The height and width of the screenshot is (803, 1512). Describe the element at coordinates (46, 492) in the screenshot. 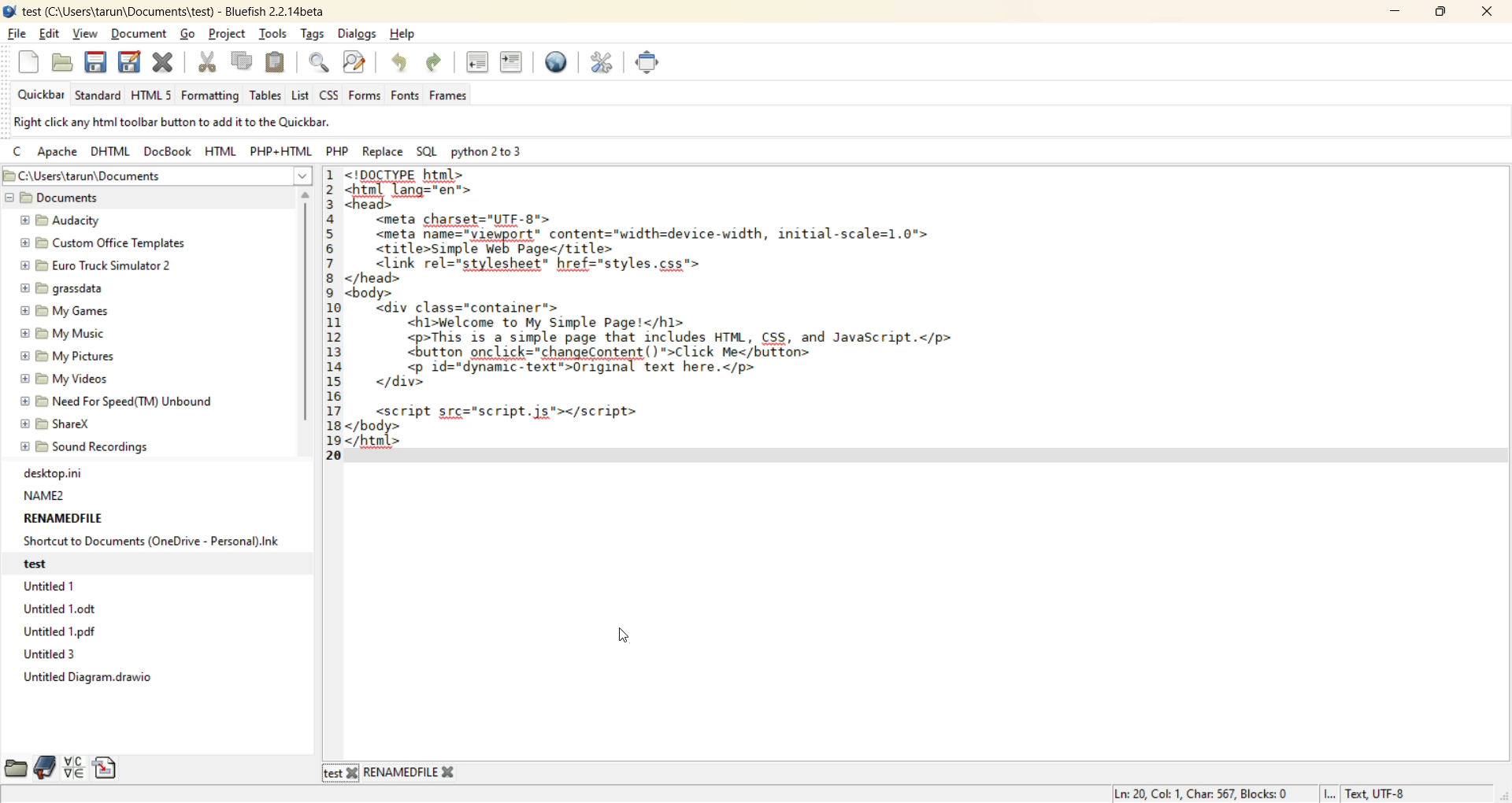

I see `NAME2` at that location.